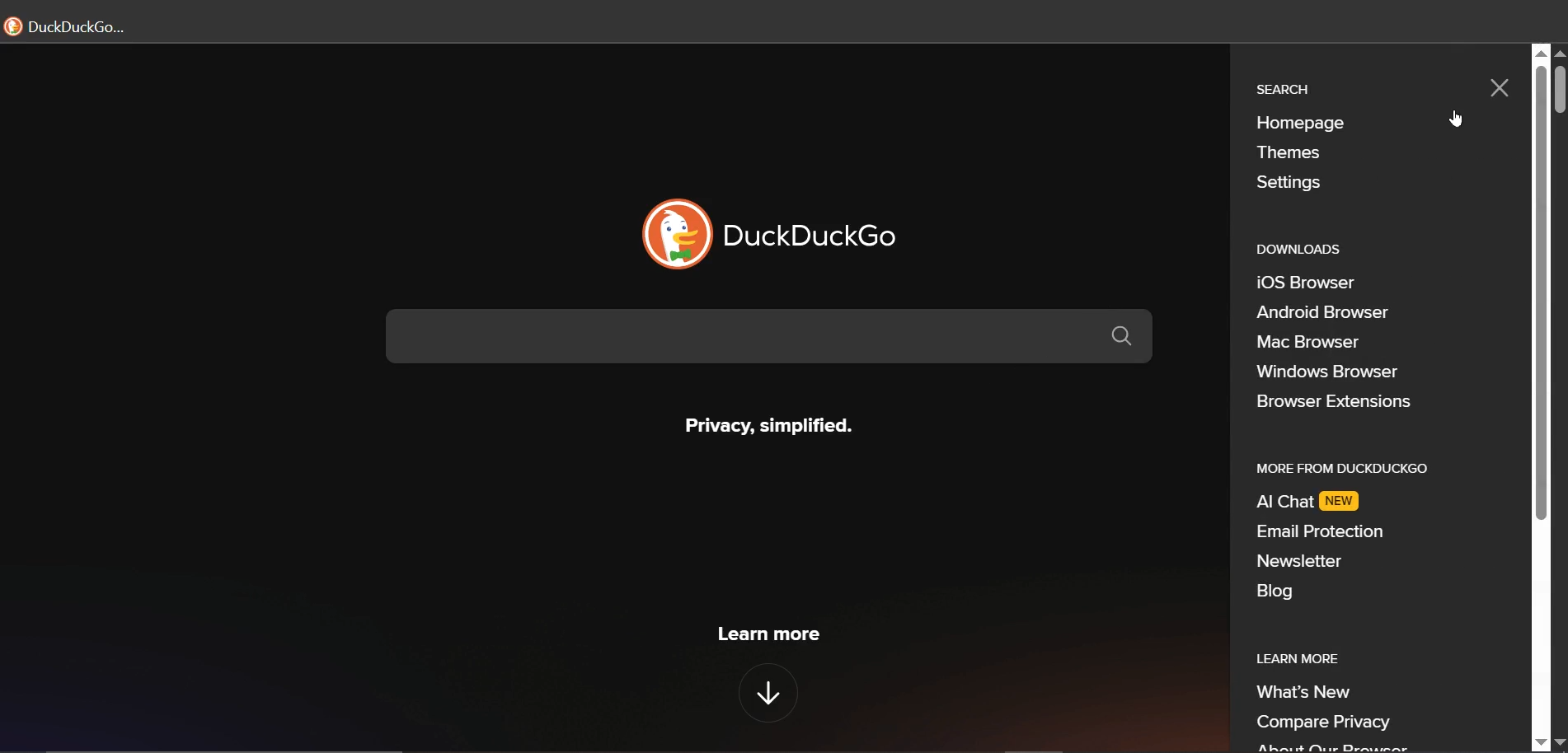 The image size is (1568, 753). What do you see at coordinates (777, 339) in the screenshot?
I see `search` at bounding box center [777, 339].